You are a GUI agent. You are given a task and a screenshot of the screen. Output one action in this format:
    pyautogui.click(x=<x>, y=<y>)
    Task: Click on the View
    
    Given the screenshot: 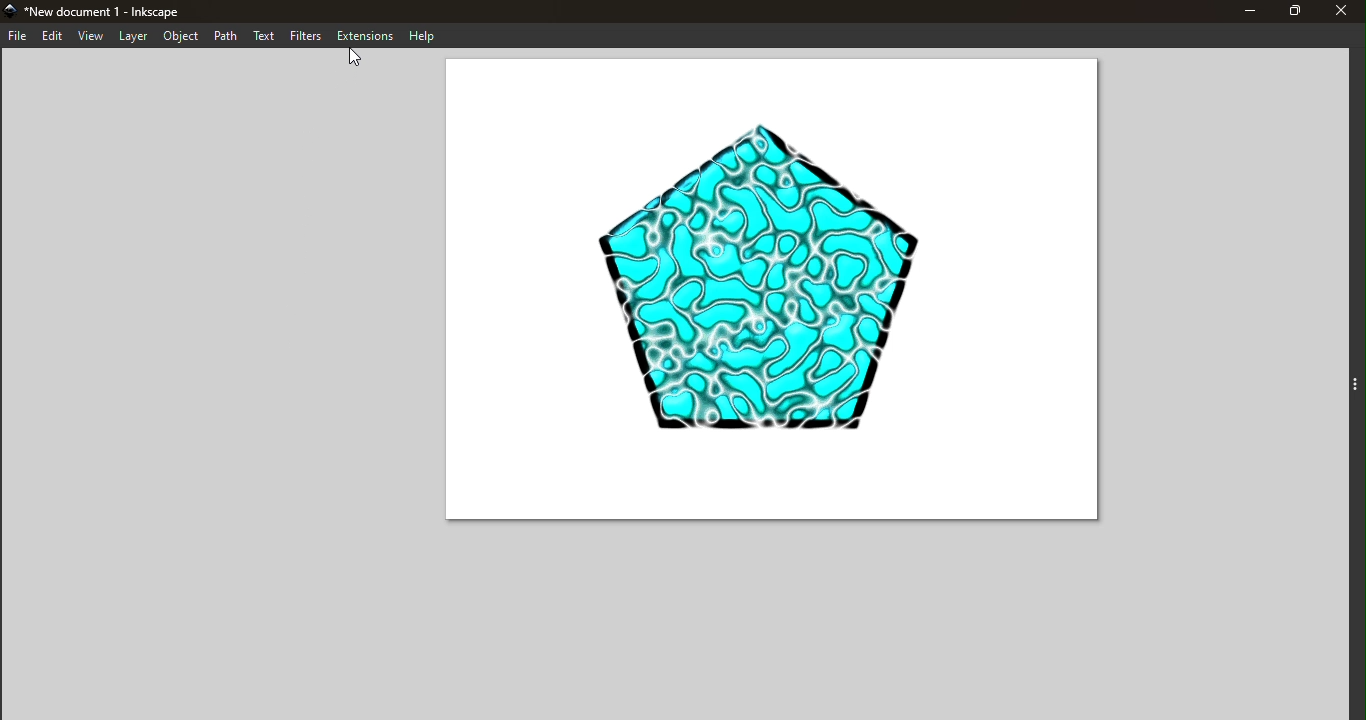 What is the action you would take?
    pyautogui.click(x=90, y=35)
    